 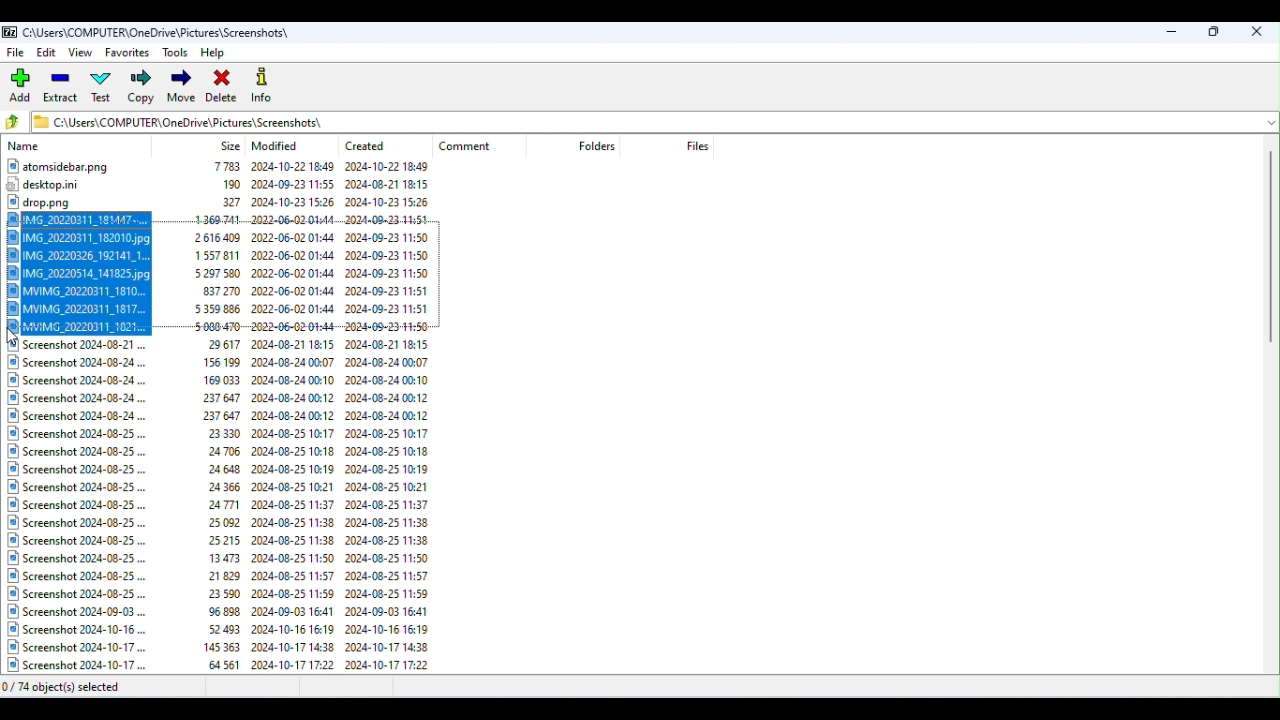 I want to click on Drop down menu, so click(x=1269, y=121).